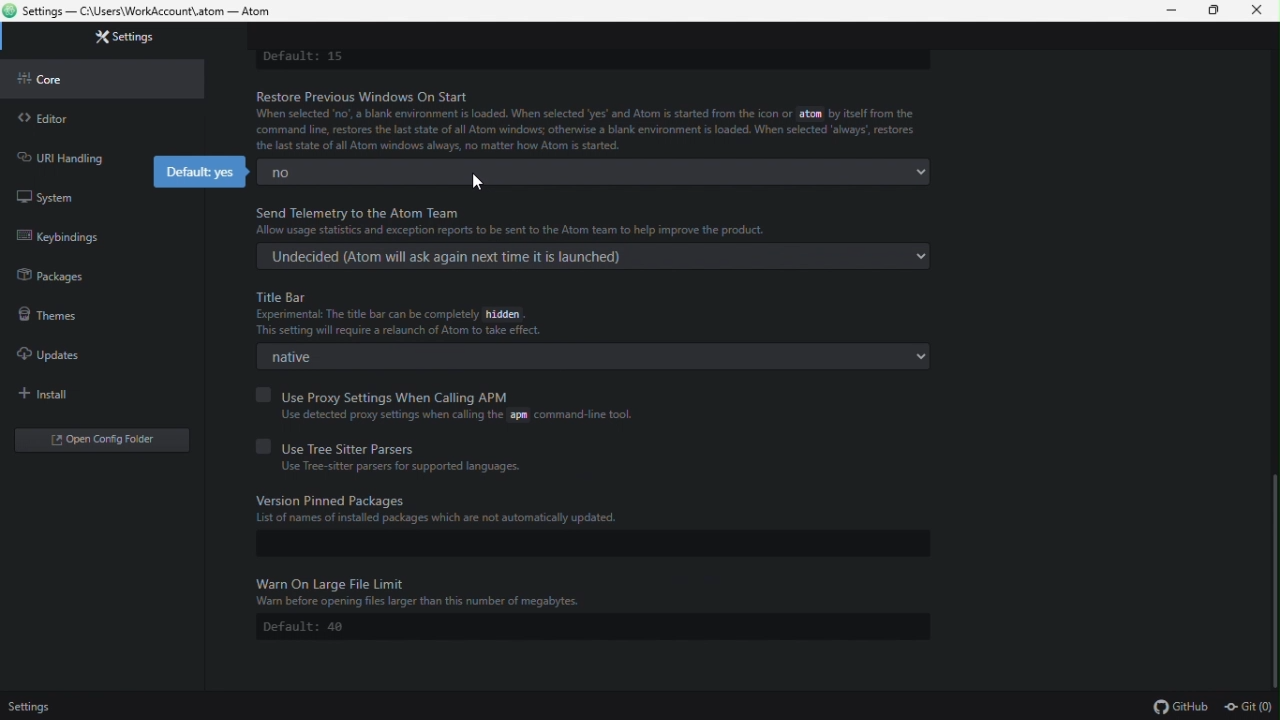  Describe the element at coordinates (79, 393) in the screenshot. I see `Install` at that location.